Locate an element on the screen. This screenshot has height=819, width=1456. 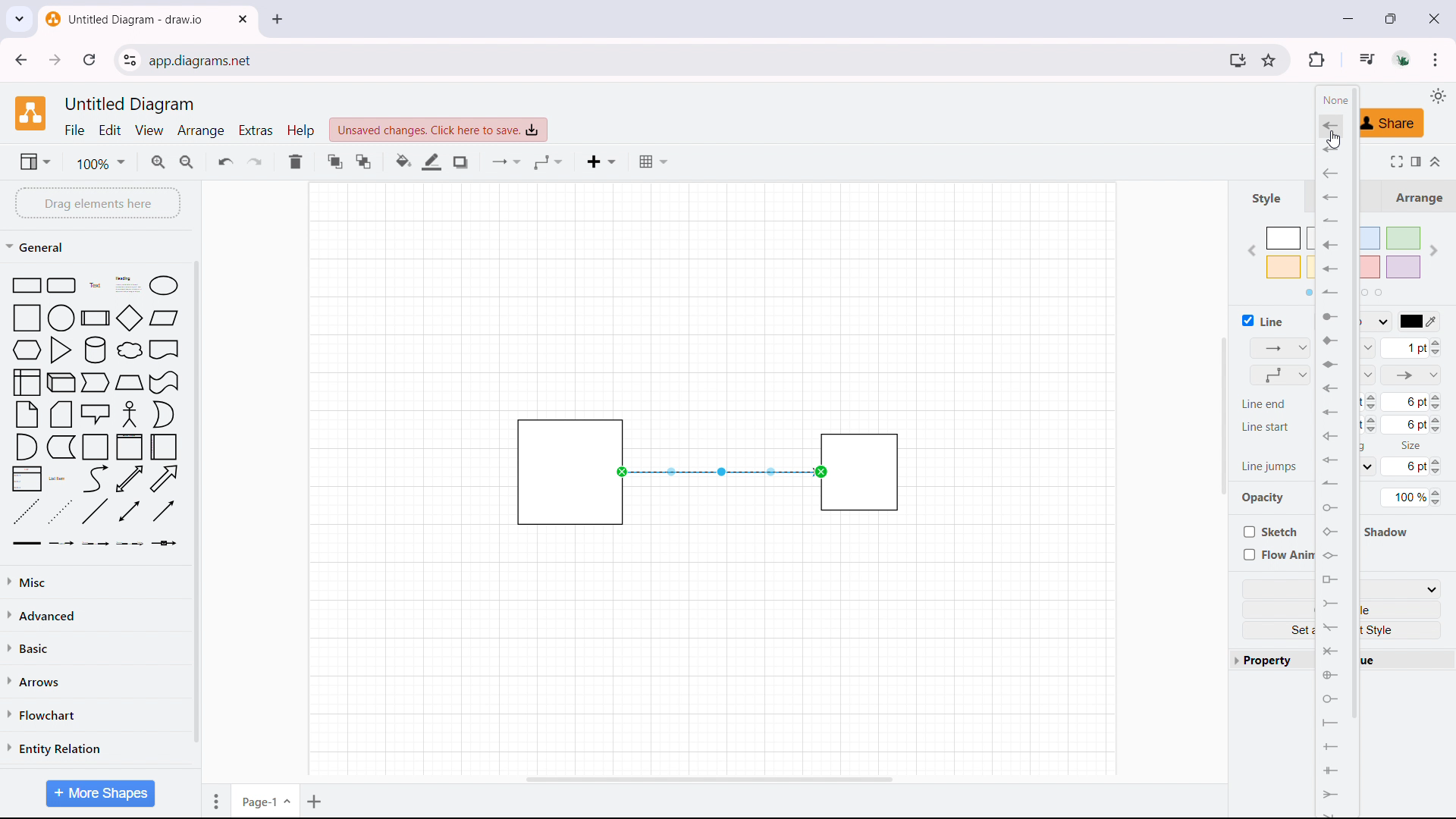
click to go back, hold to see history is located at coordinates (20, 59).